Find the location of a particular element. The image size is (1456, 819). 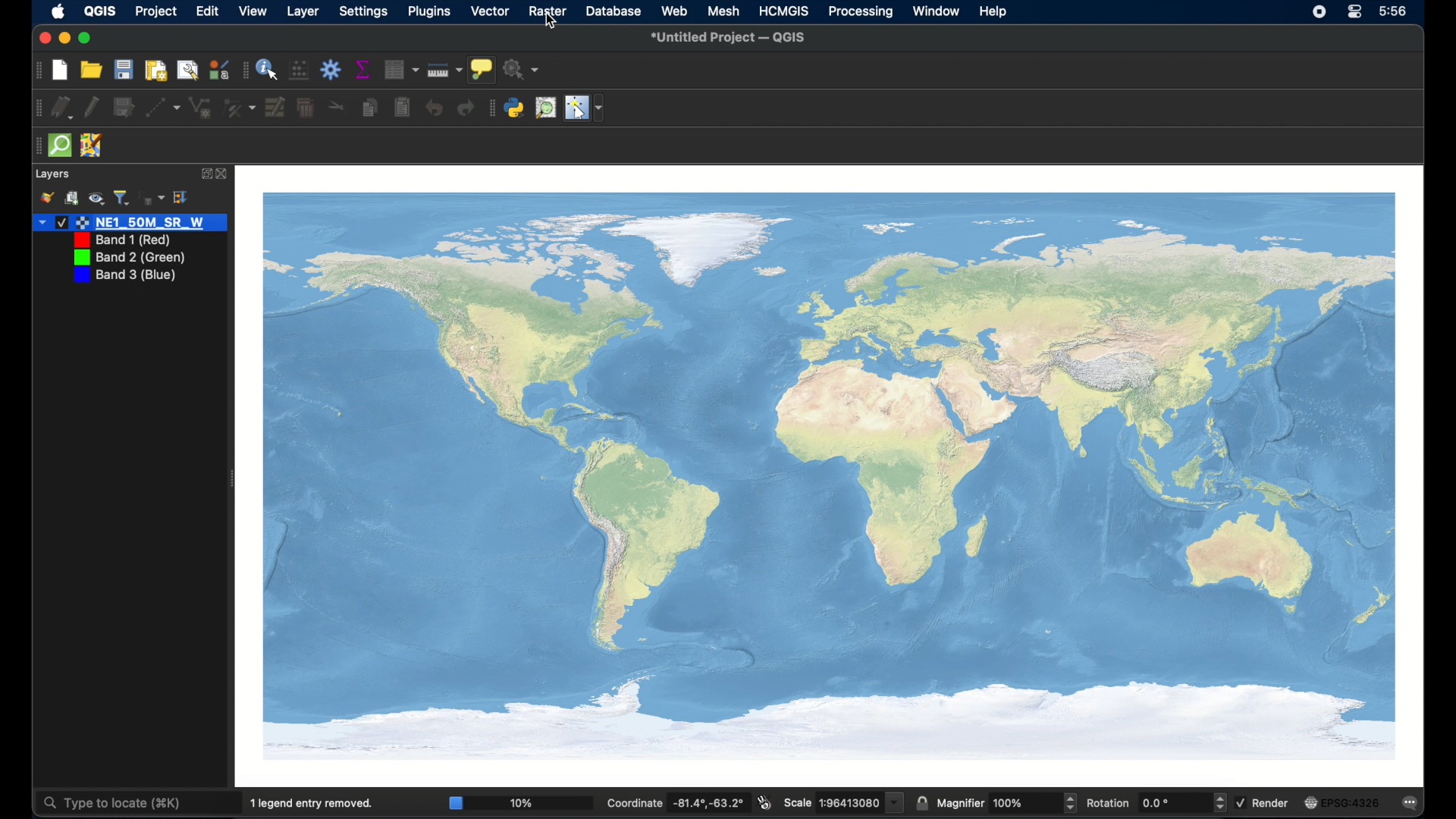

close is located at coordinates (41, 39).